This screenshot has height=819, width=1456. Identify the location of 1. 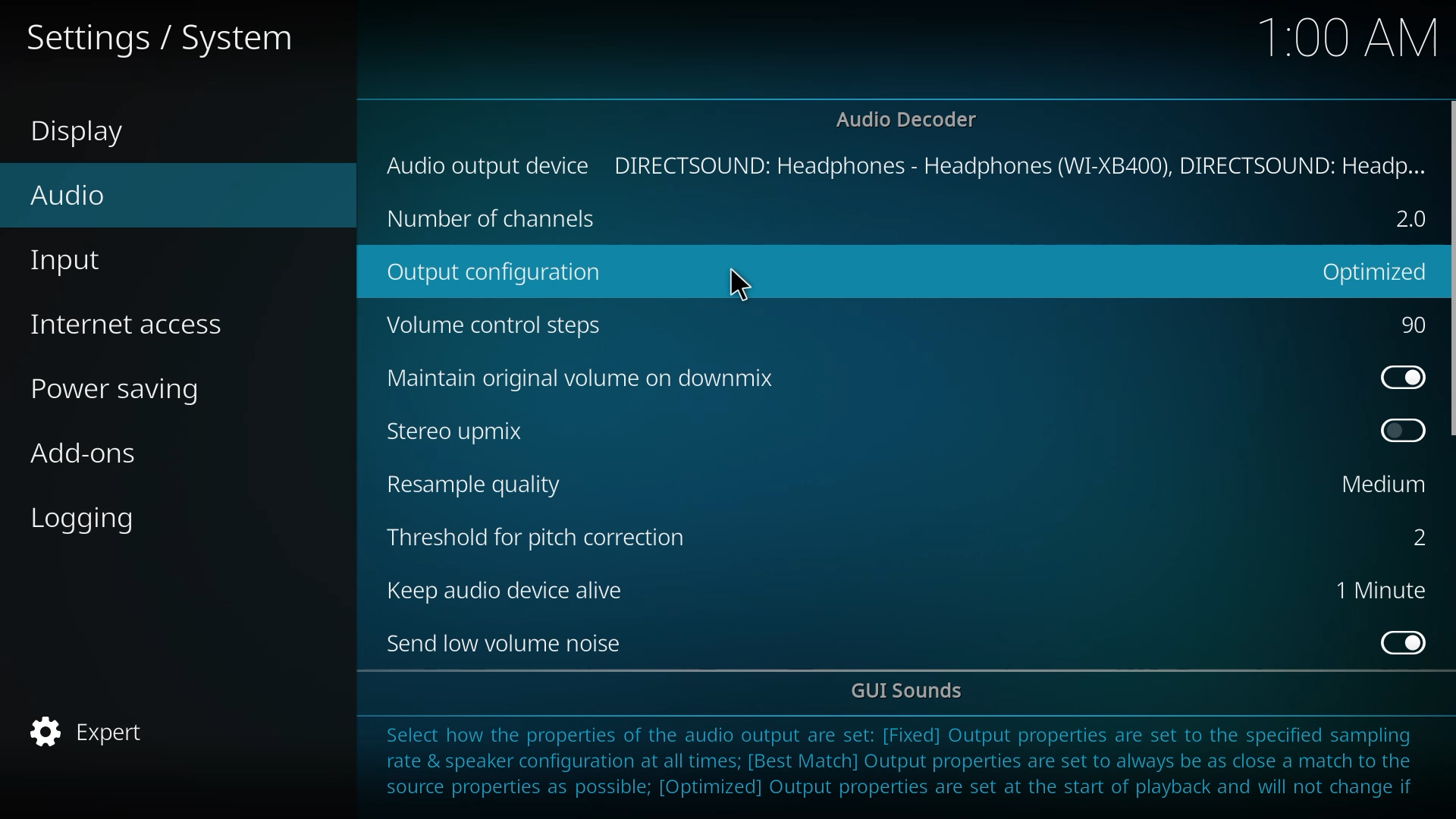
(1376, 589).